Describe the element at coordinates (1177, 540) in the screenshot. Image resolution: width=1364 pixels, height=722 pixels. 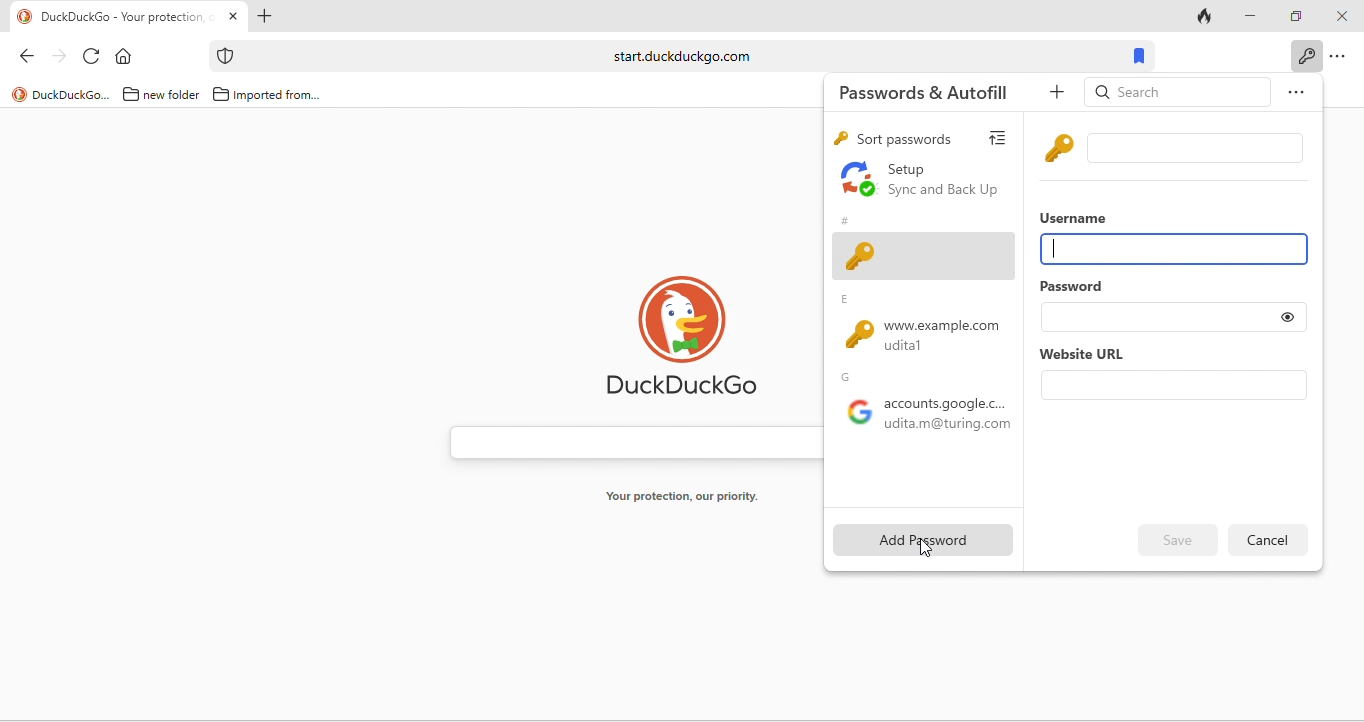
I see `edit` at that location.